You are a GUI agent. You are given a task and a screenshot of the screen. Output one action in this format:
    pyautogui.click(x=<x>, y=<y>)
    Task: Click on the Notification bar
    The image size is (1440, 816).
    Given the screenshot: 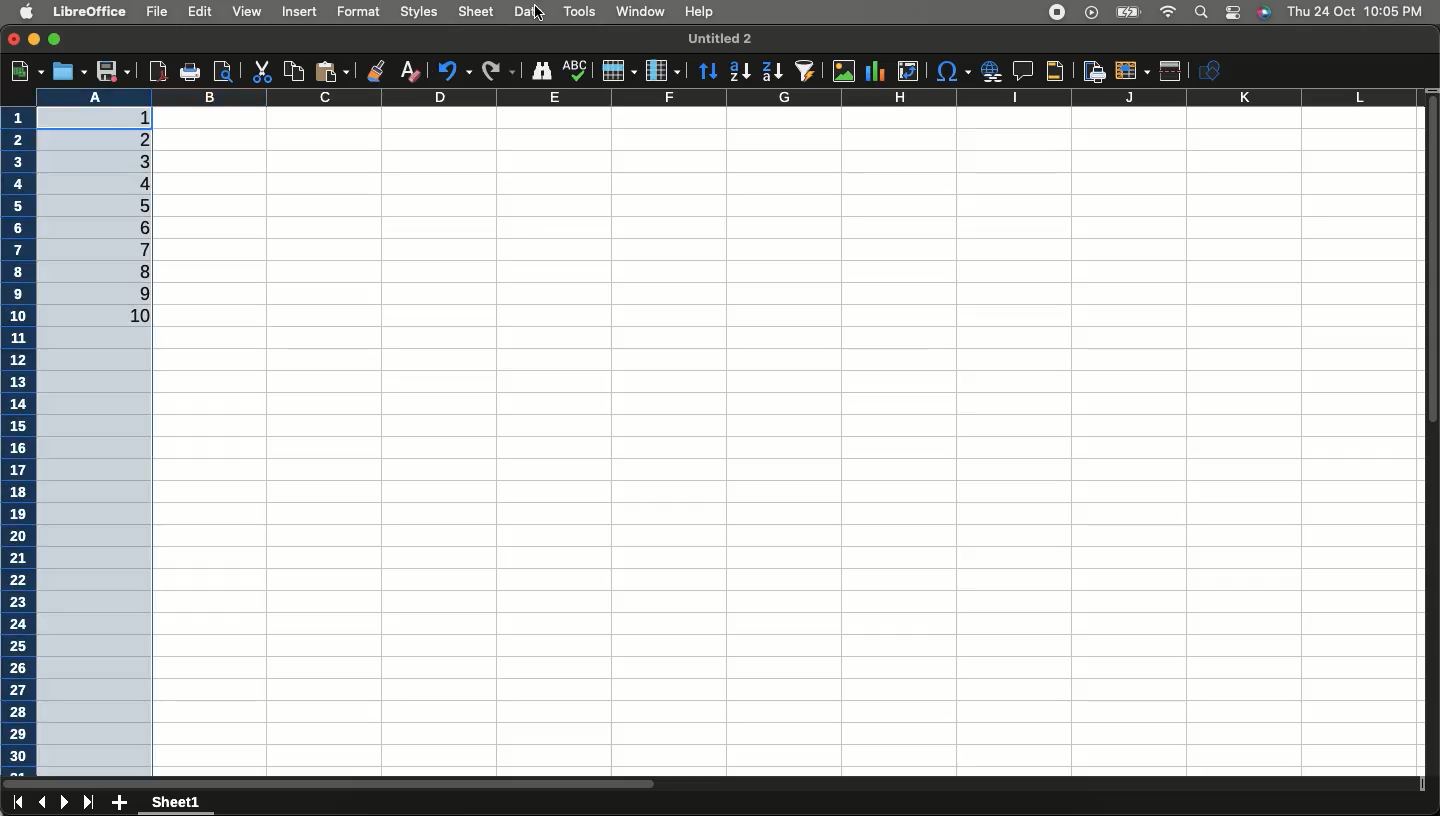 What is the action you would take?
    pyautogui.click(x=1232, y=14)
    